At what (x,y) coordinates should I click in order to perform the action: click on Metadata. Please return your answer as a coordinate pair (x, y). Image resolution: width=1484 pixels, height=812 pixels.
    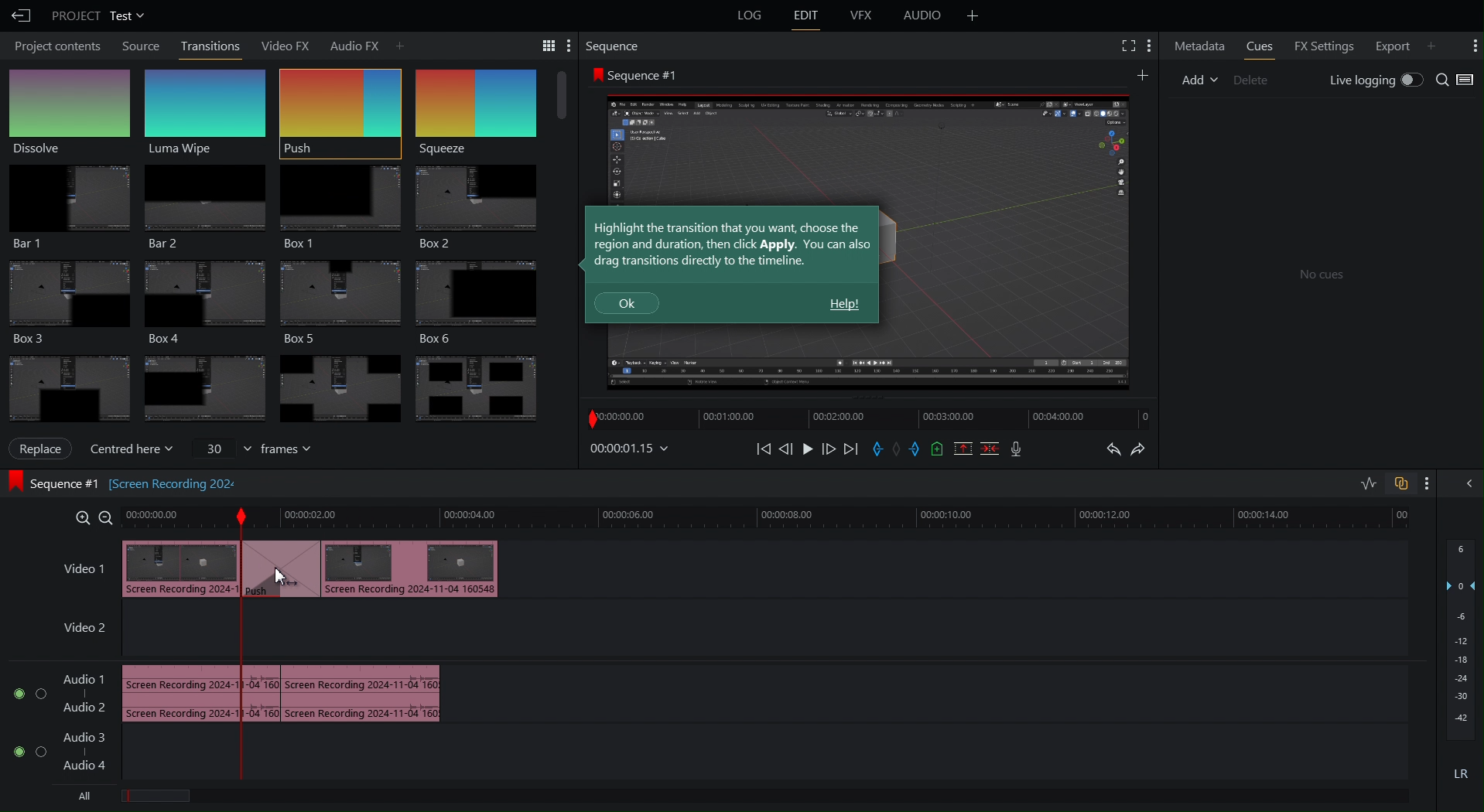
    Looking at the image, I should click on (1198, 46).